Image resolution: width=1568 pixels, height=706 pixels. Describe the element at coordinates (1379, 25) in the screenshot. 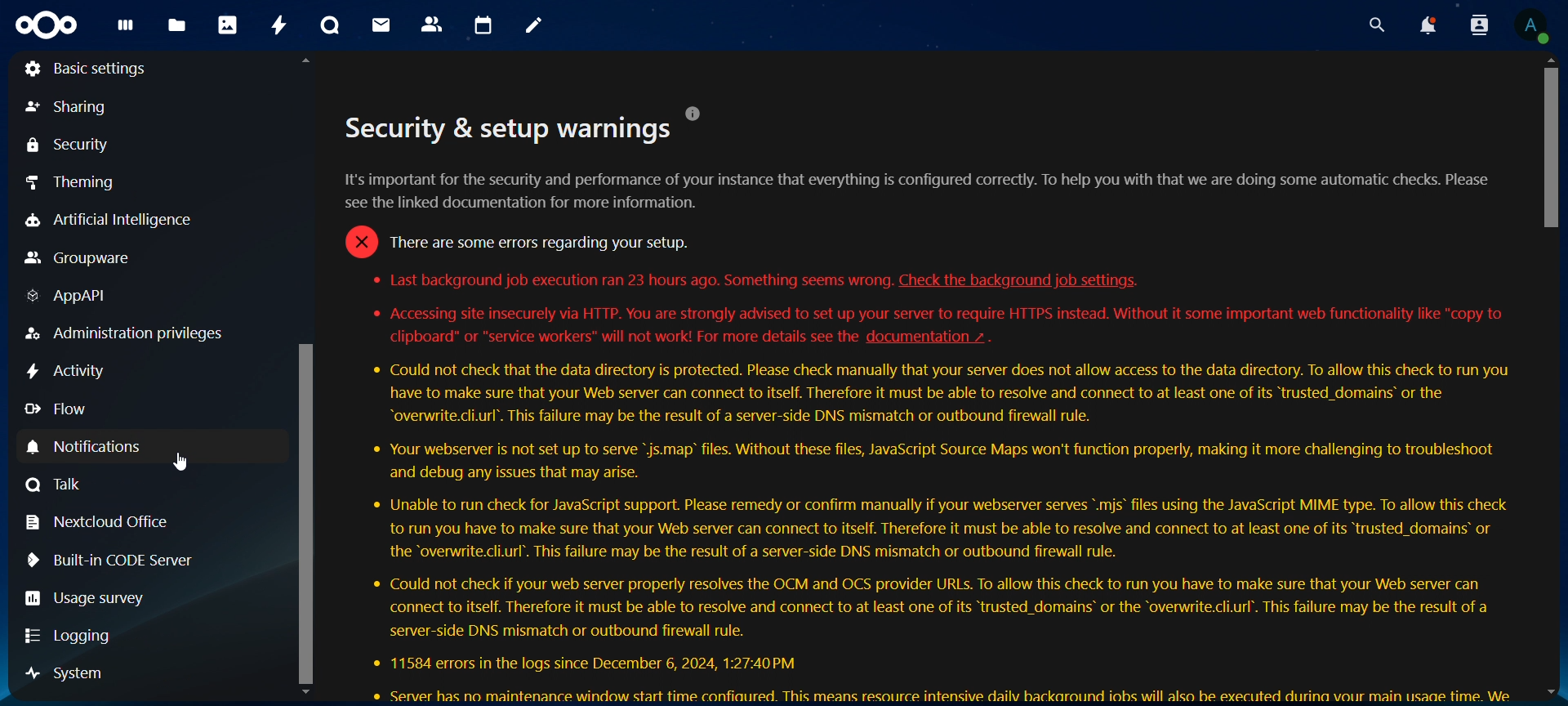

I see `search` at that location.